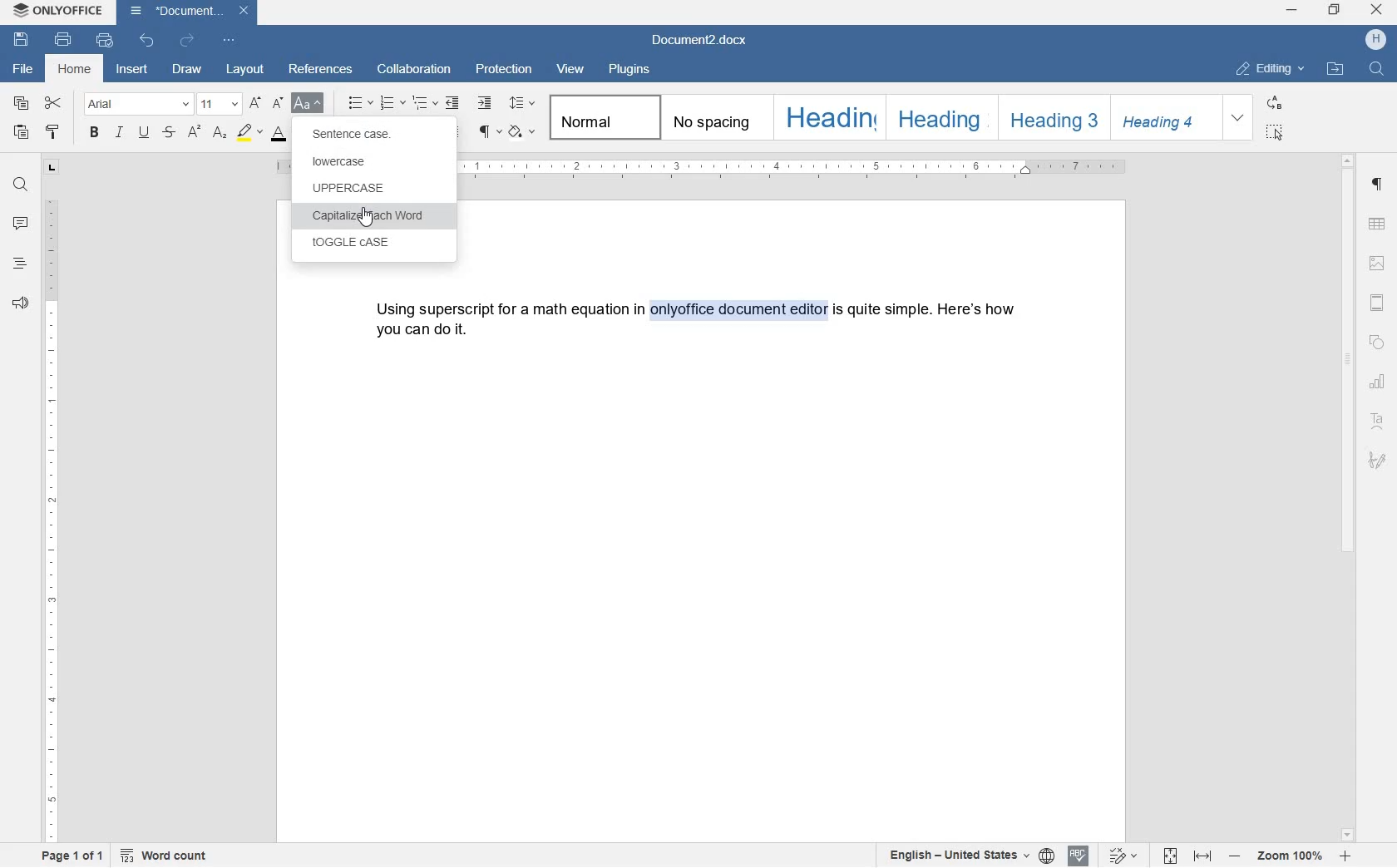  Describe the element at coordinates (1164, 118) in the screenshot. I see `HEADING 4` at that location.